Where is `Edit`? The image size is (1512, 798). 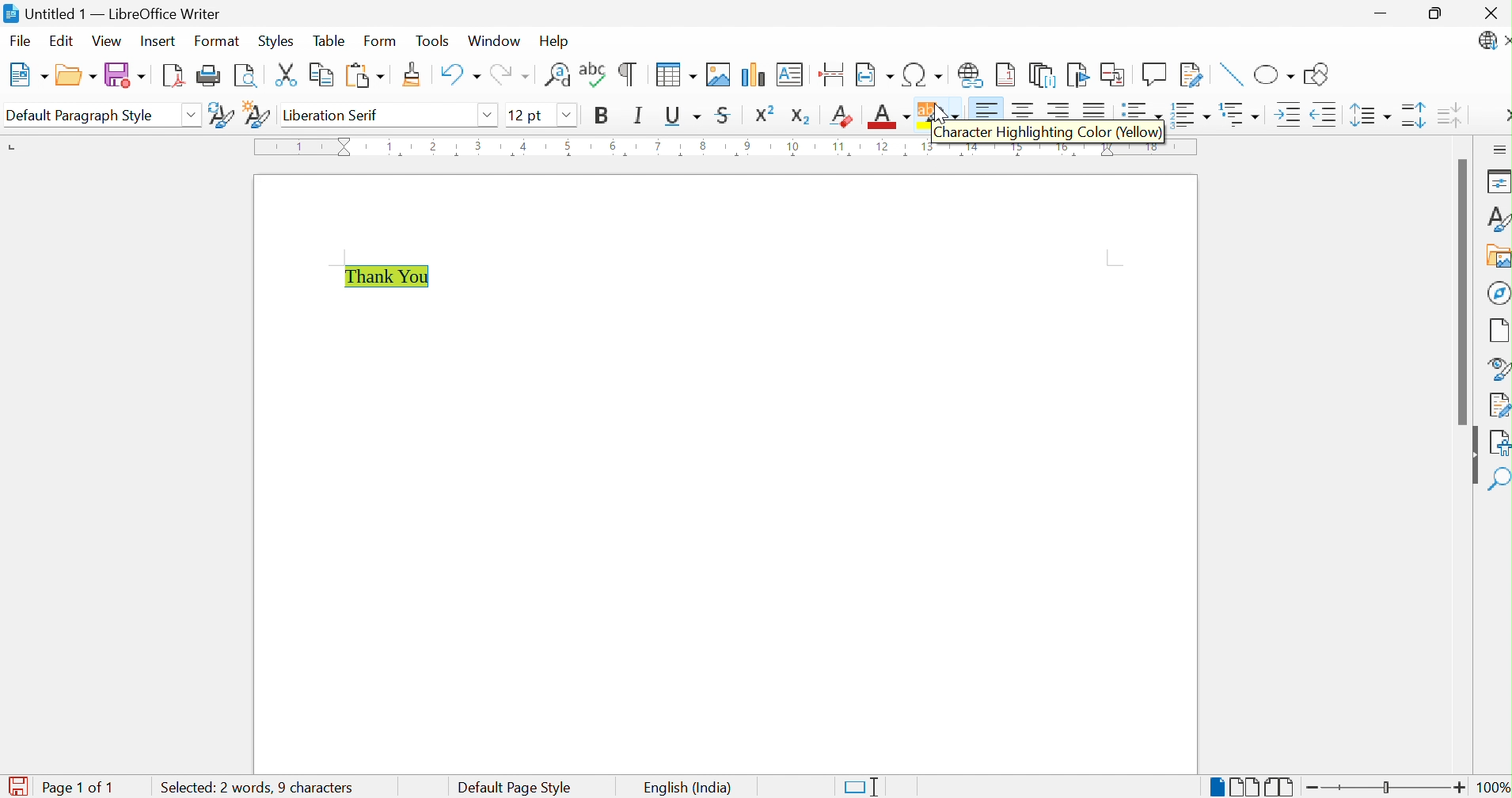
Edit is located at coordinates (63, 42).